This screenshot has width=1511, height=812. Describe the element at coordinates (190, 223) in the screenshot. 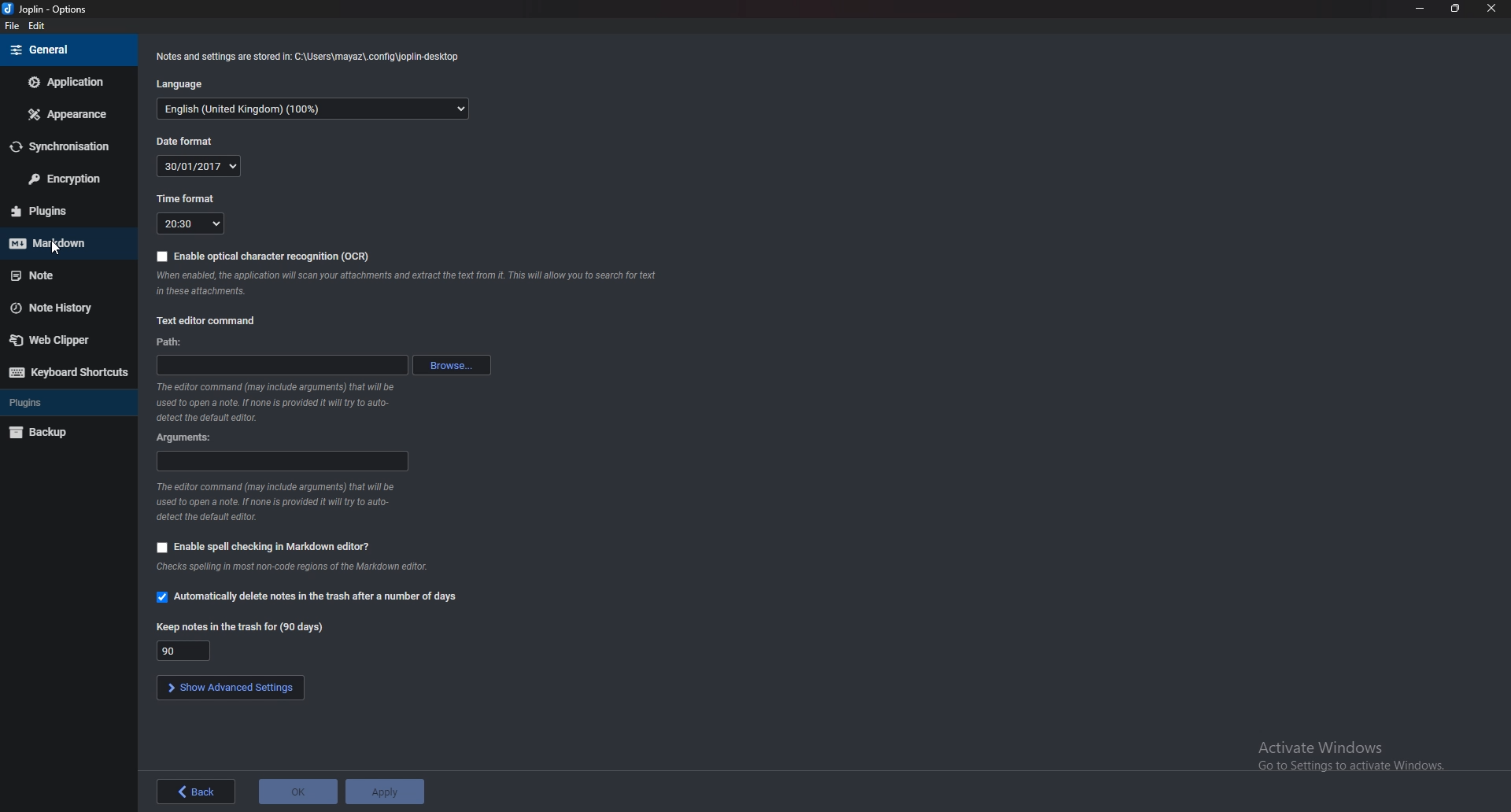

I see `20:30` at that location.